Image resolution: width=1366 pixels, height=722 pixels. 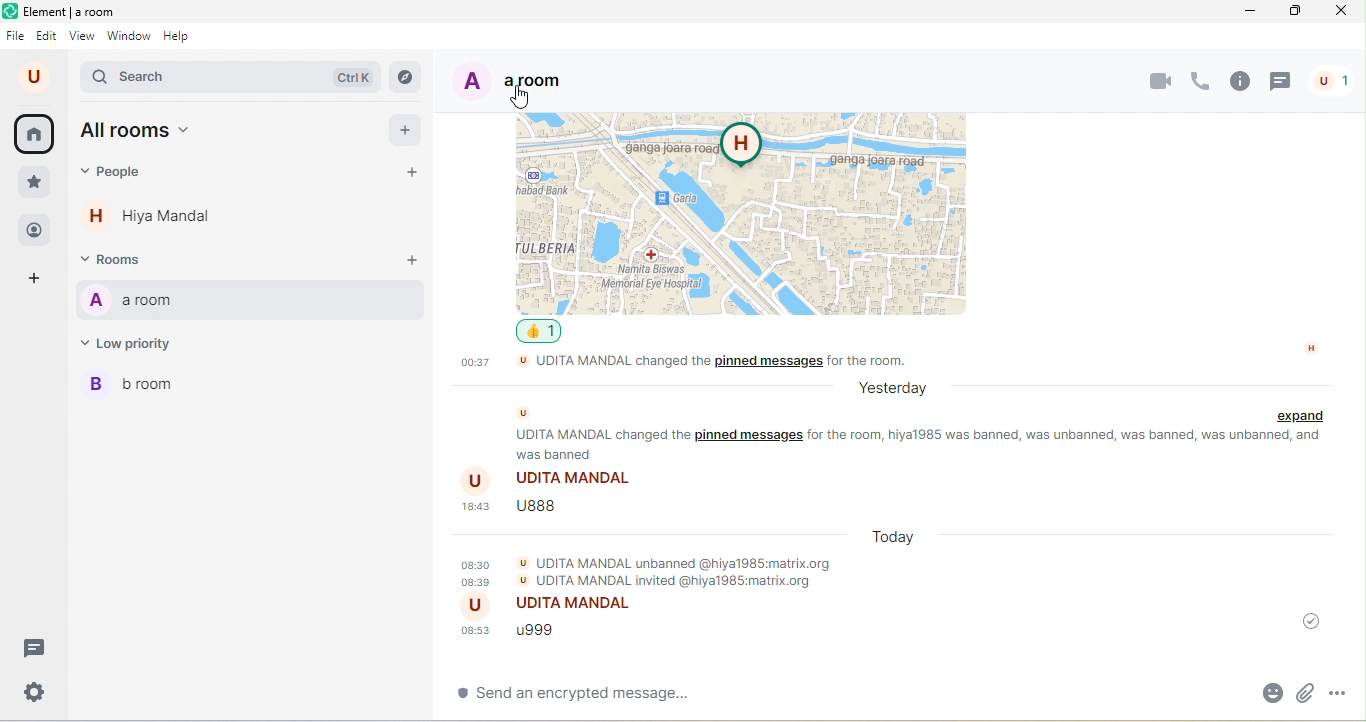 What do you see at coordinates (555, 607) in the screenshot?
I see `udita mandal` at bounding box center [555, 607].